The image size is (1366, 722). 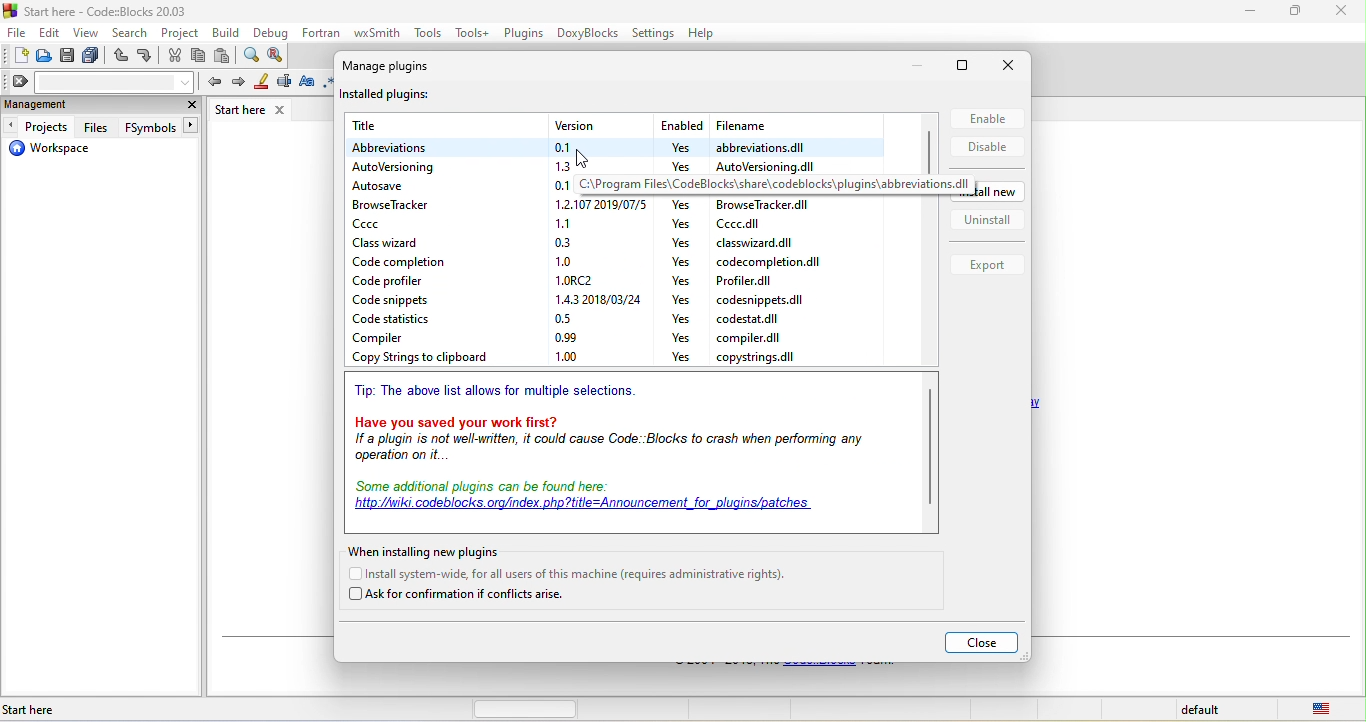 What do you see at coordinates (931, 446) in the screenshot?
I see `` at bounding box center [931, 446].